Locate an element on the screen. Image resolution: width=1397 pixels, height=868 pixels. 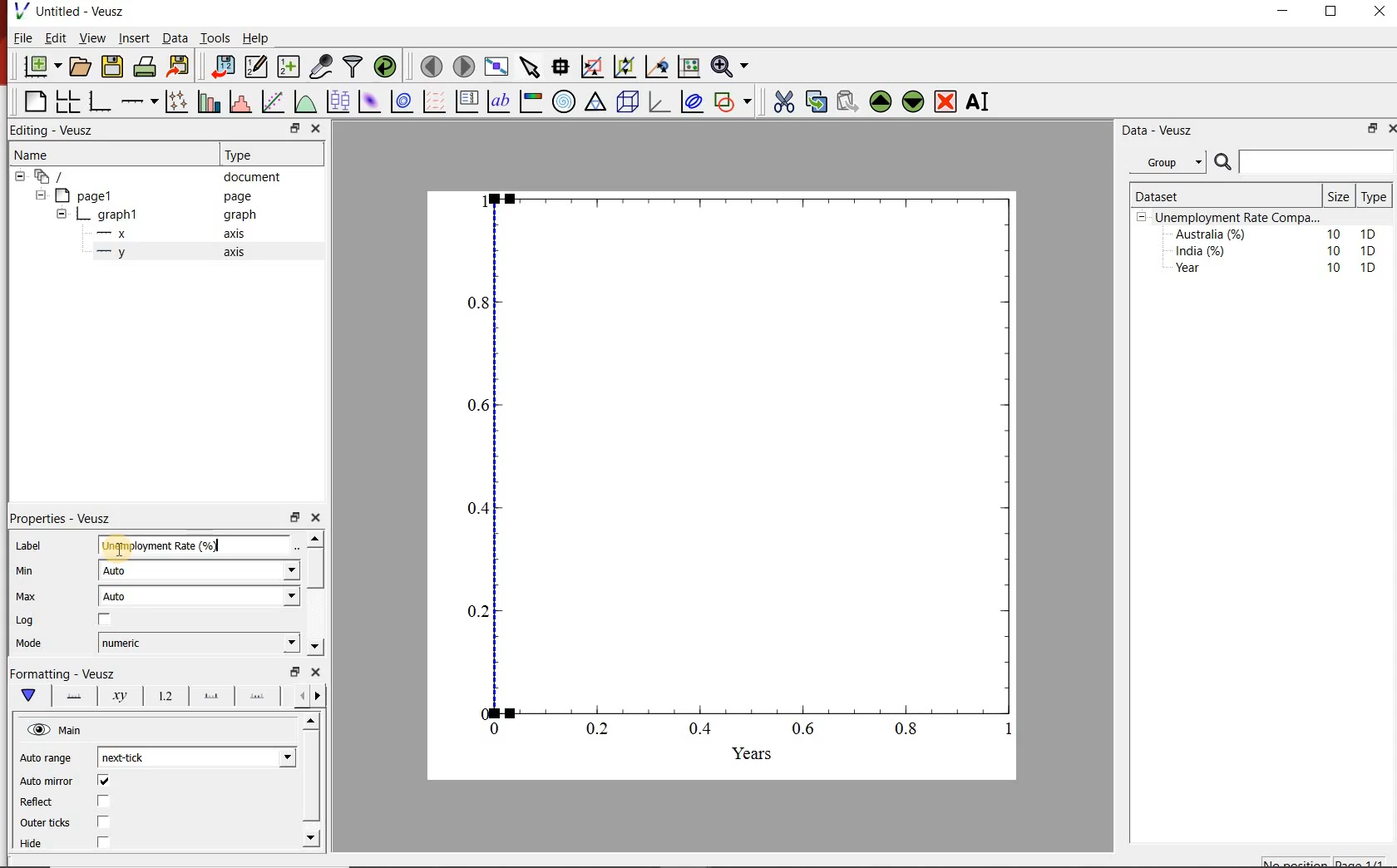
Tools is located at coordinates (216, 37).